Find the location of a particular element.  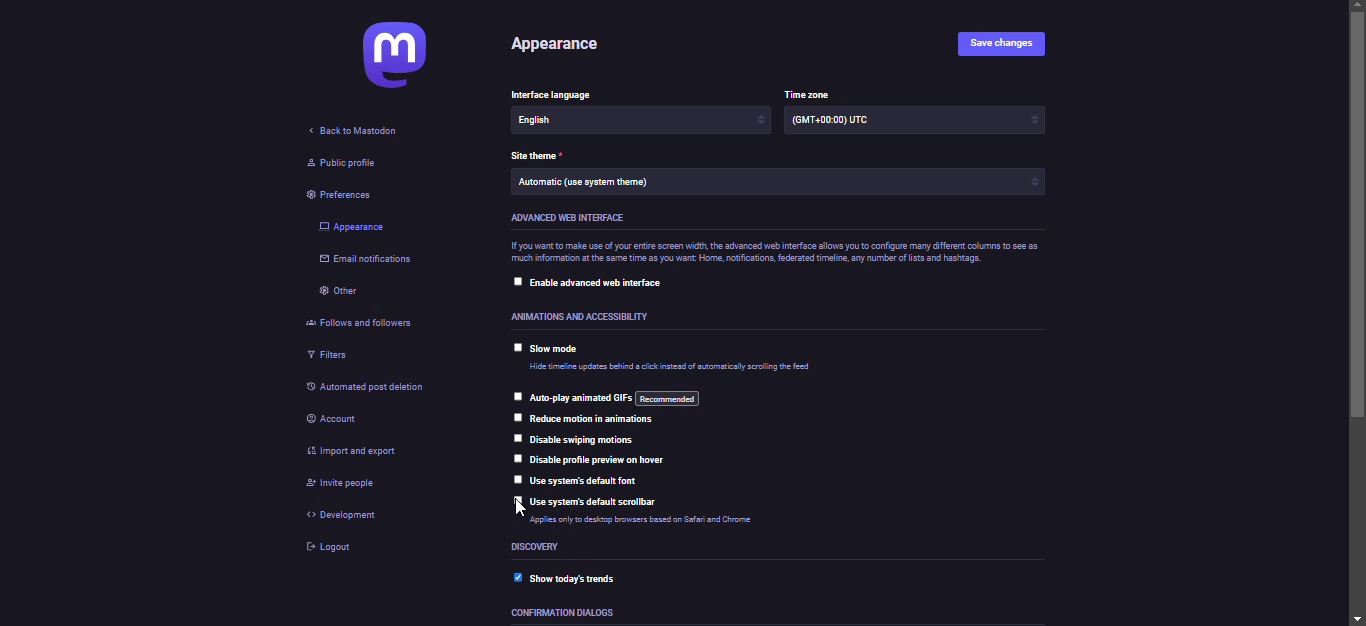

click to select is located at coordinates (518, 501).